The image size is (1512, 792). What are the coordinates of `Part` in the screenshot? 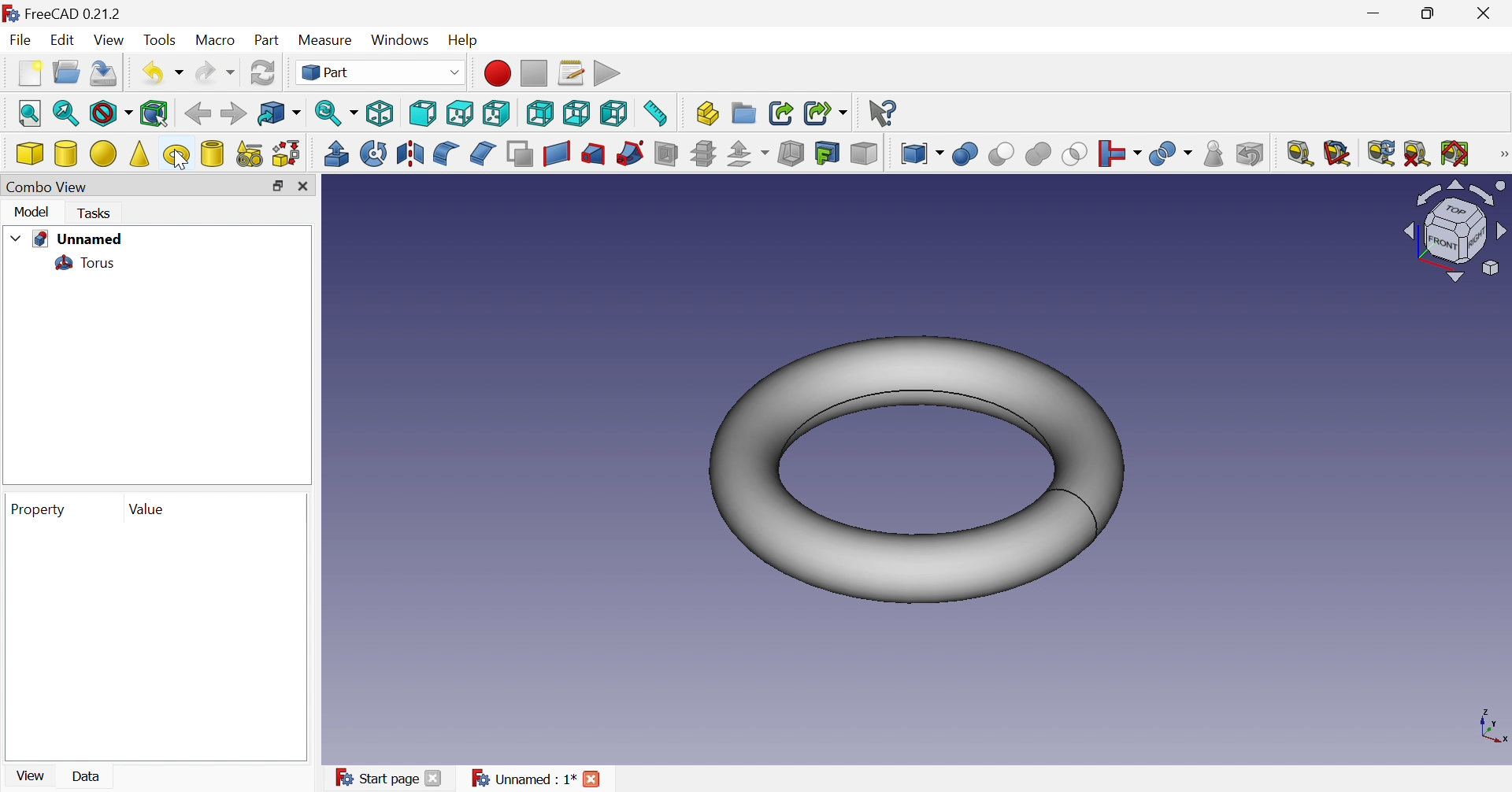 It's located at (265, 42).